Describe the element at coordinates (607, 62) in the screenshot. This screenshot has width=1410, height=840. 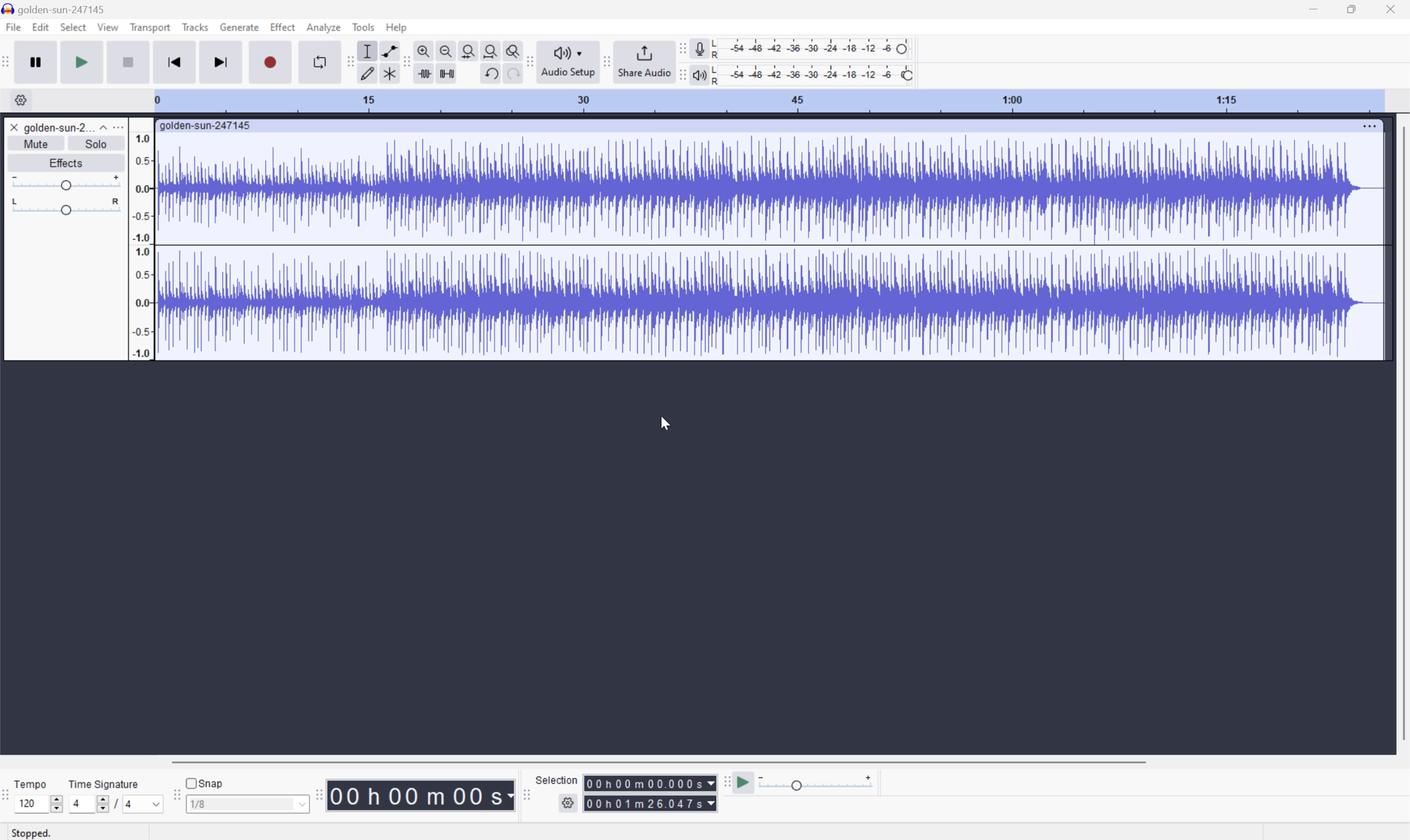
I see `Audacity share audio toolbar` at that location.